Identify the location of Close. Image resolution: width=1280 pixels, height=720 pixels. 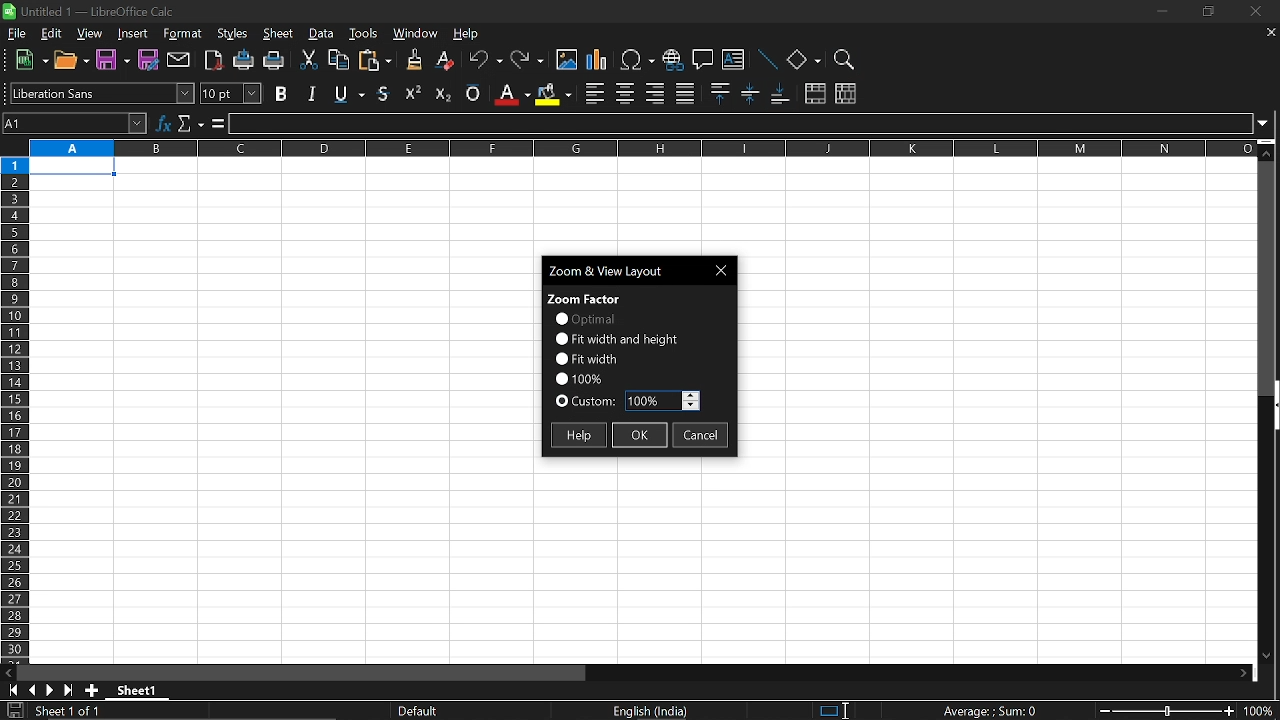
(724, 270).